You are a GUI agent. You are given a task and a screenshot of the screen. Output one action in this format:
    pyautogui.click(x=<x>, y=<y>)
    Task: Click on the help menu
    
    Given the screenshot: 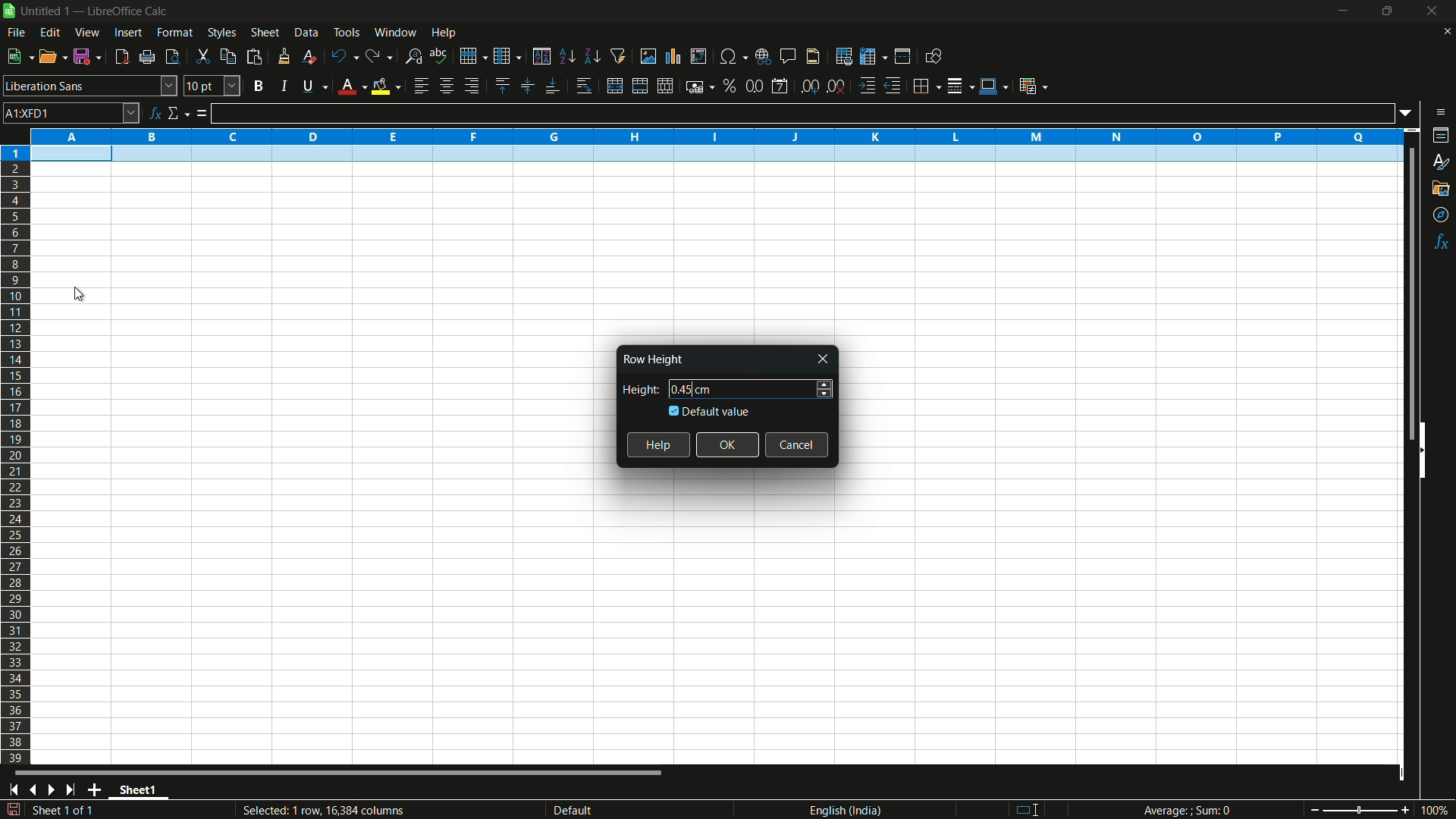 What is the action you would take?
    pyautogui.click(x=445, y=33)
    